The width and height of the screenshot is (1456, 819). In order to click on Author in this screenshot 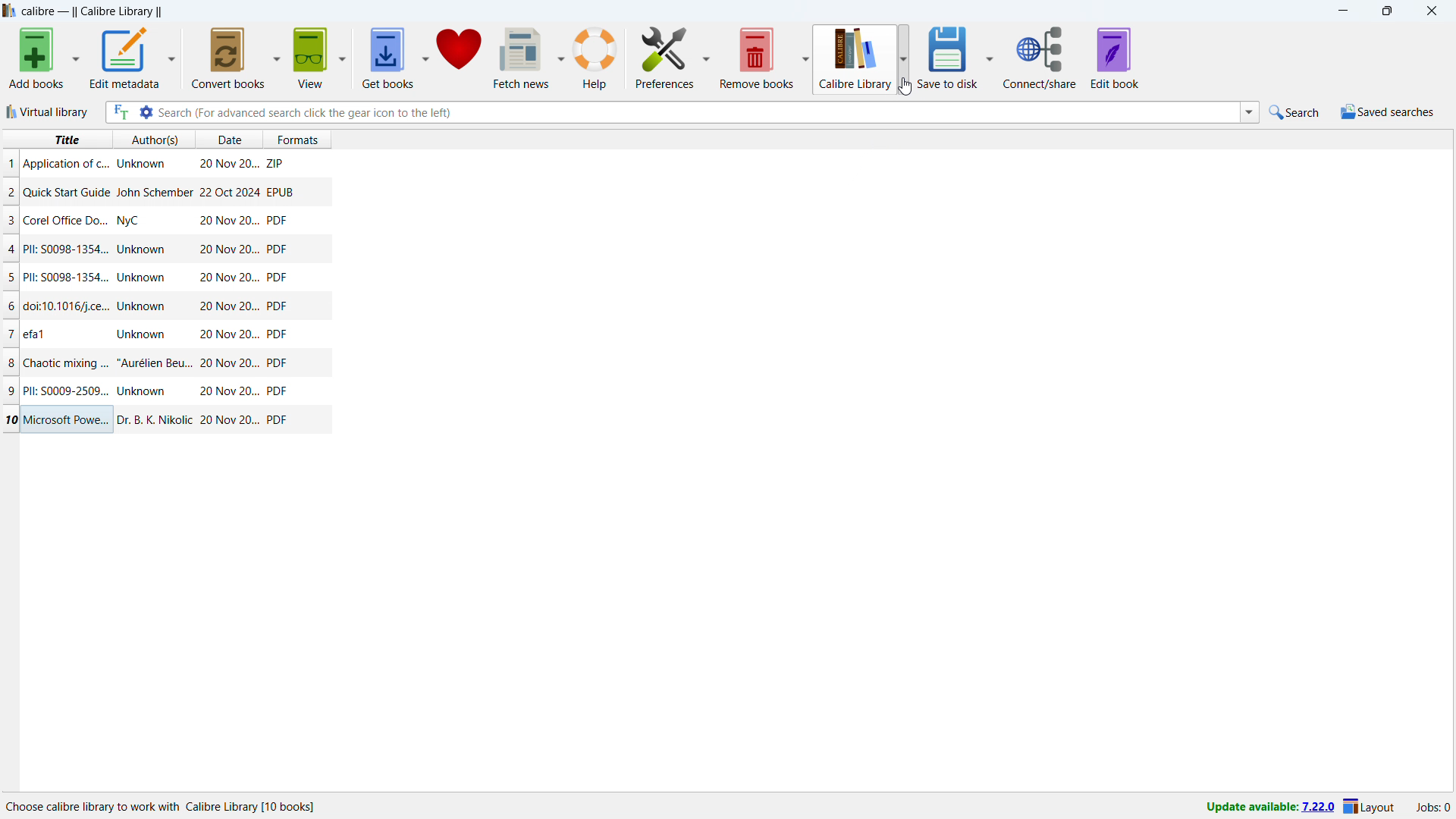, I will do `click(152, 418)`.